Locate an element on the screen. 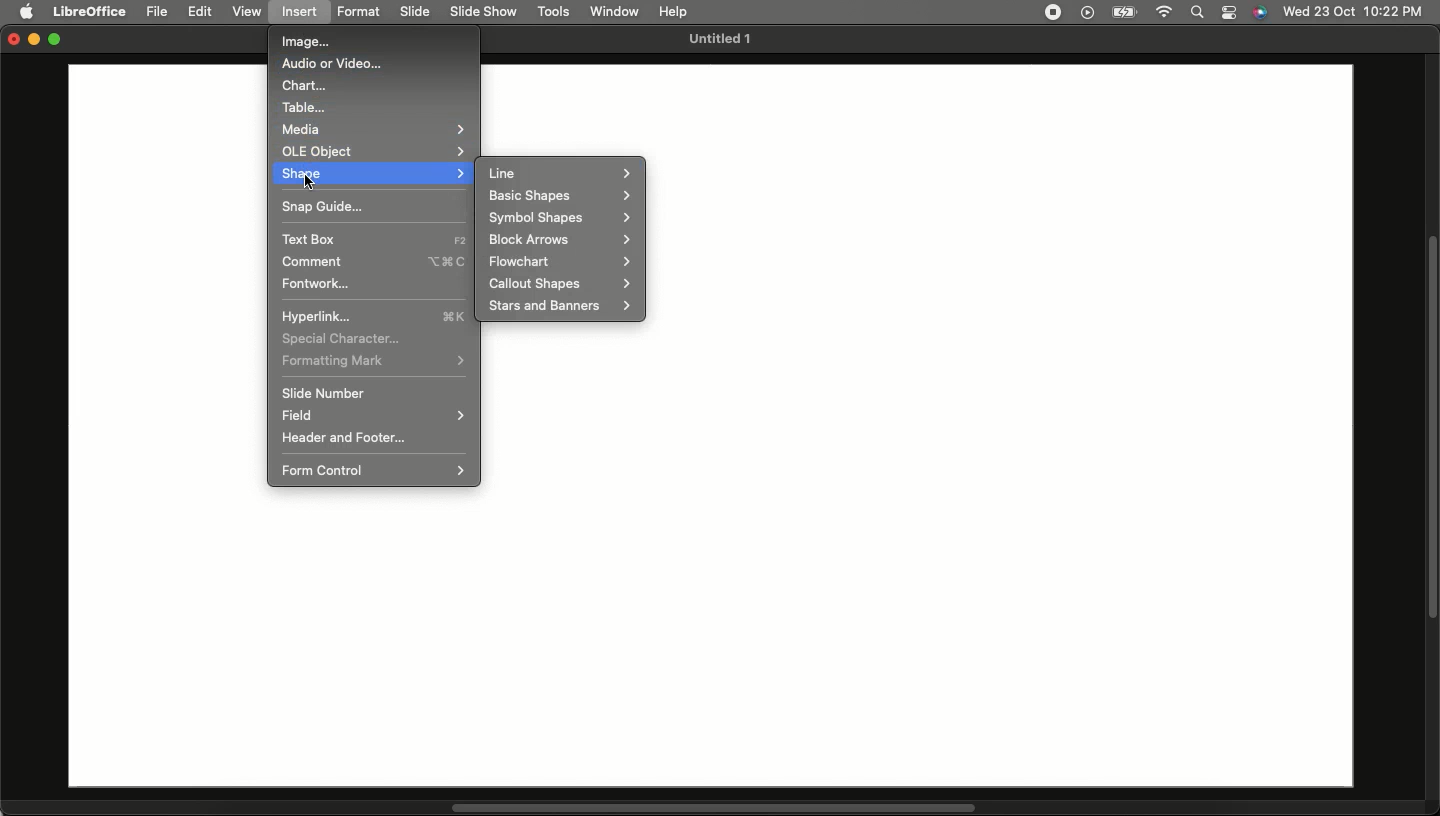 The width and height of the screenshot is (1440, 816). Help is located at coordinates (673, 9).